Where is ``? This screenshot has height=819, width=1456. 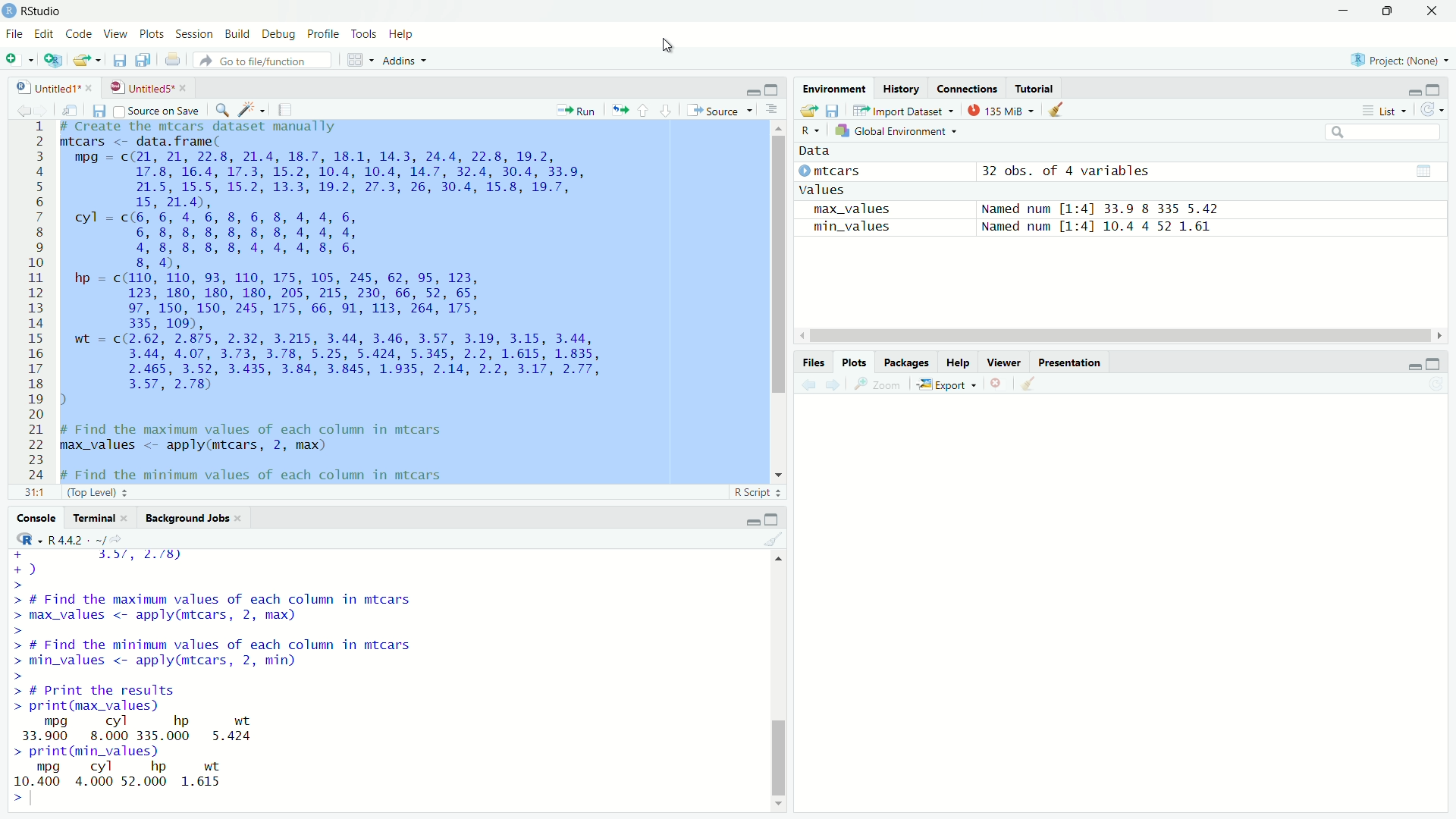
 is located at coordinates (808, 362).